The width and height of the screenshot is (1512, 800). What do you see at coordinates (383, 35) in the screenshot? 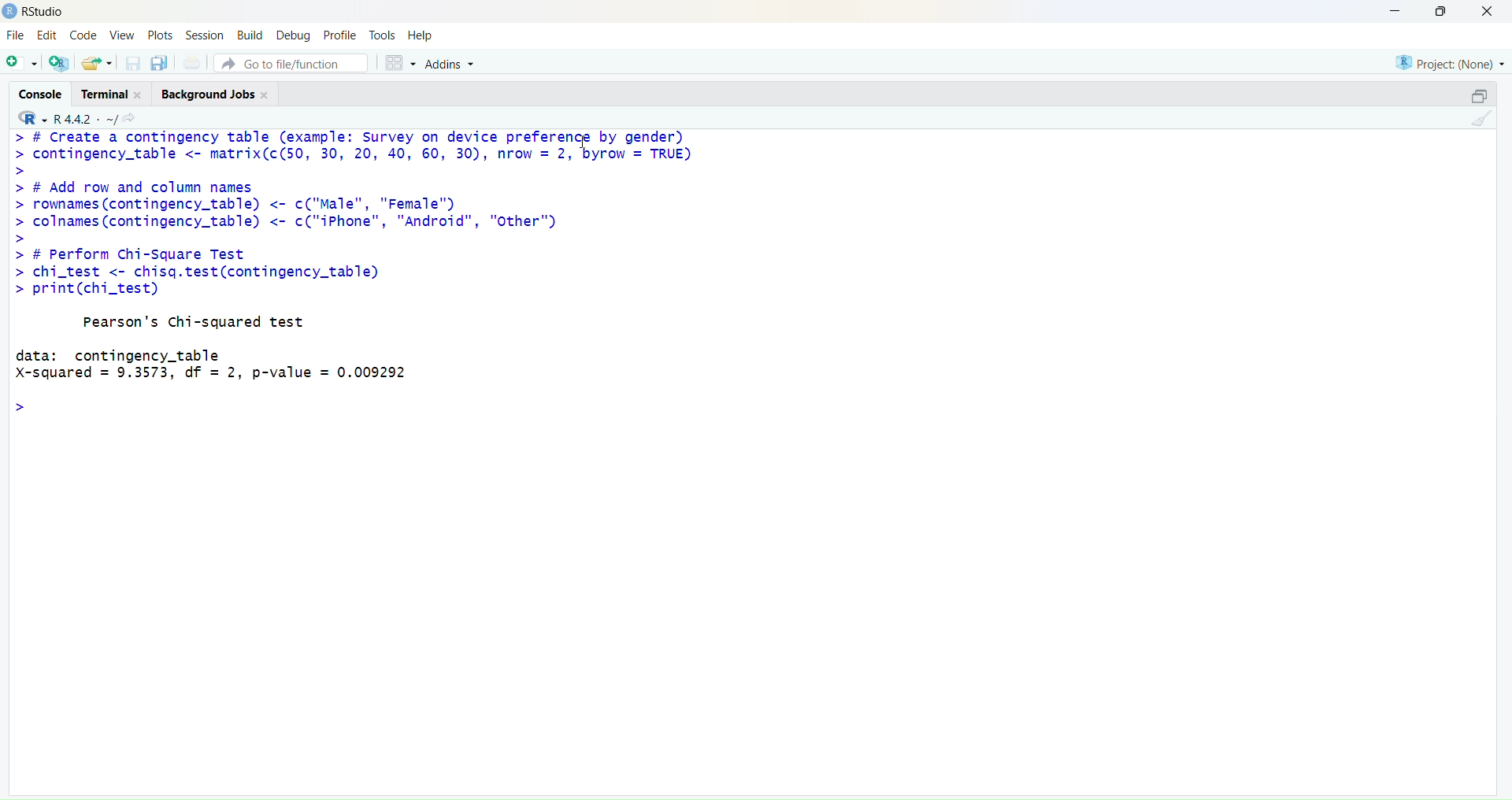
I see `Tools` at bounding box center [383, 35].